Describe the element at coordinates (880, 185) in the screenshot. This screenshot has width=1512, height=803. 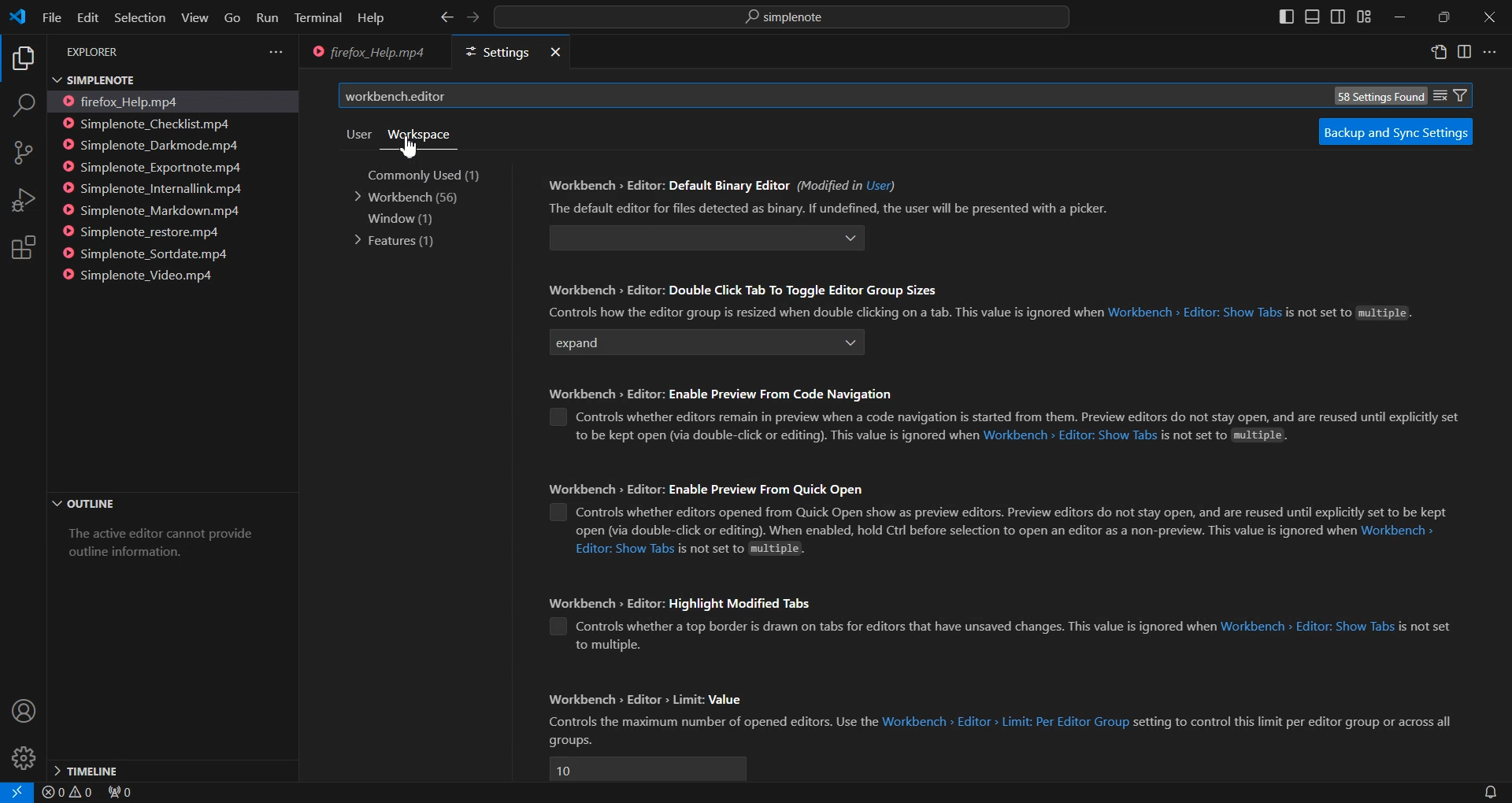
I see `User hyperlink address` at that location.